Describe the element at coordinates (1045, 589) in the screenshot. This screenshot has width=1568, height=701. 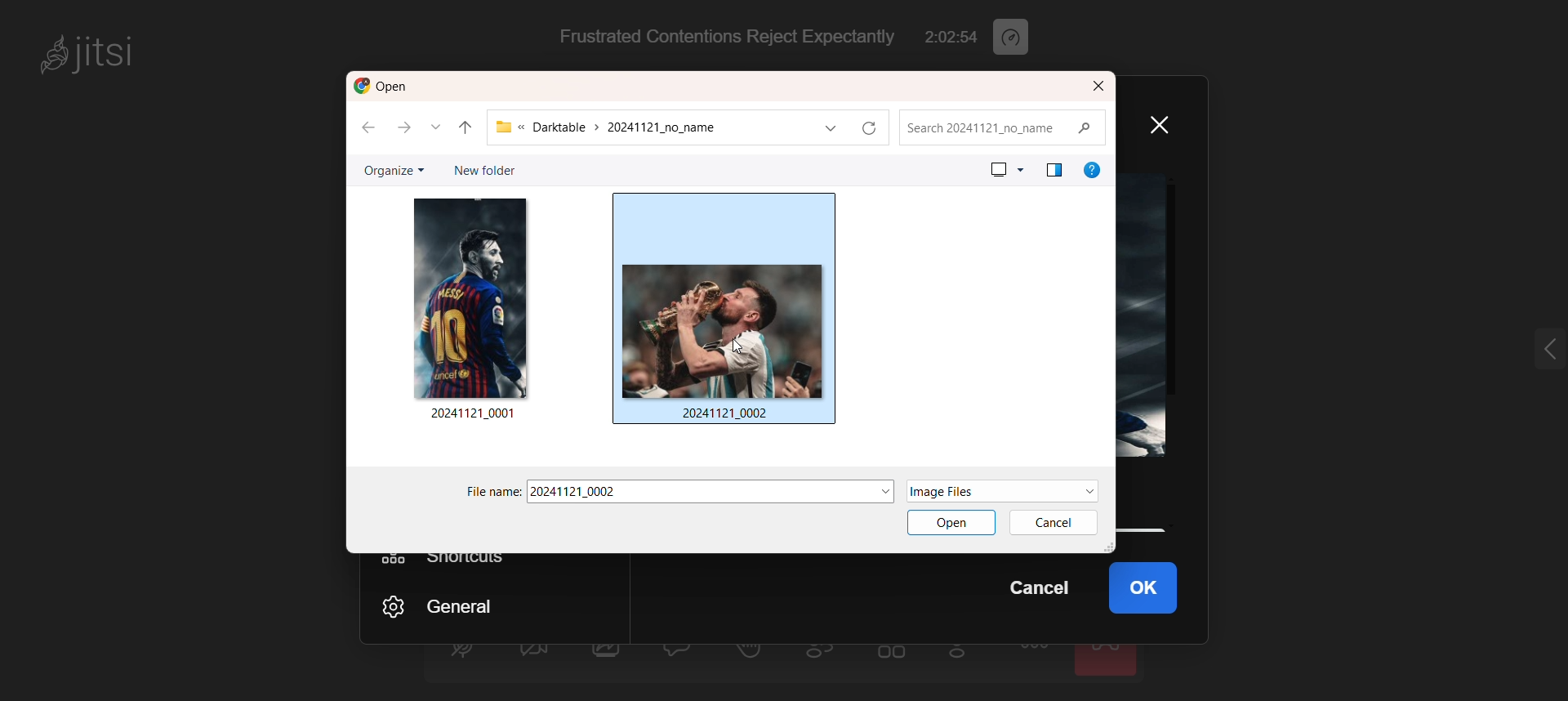
I see `cancel` at that location.